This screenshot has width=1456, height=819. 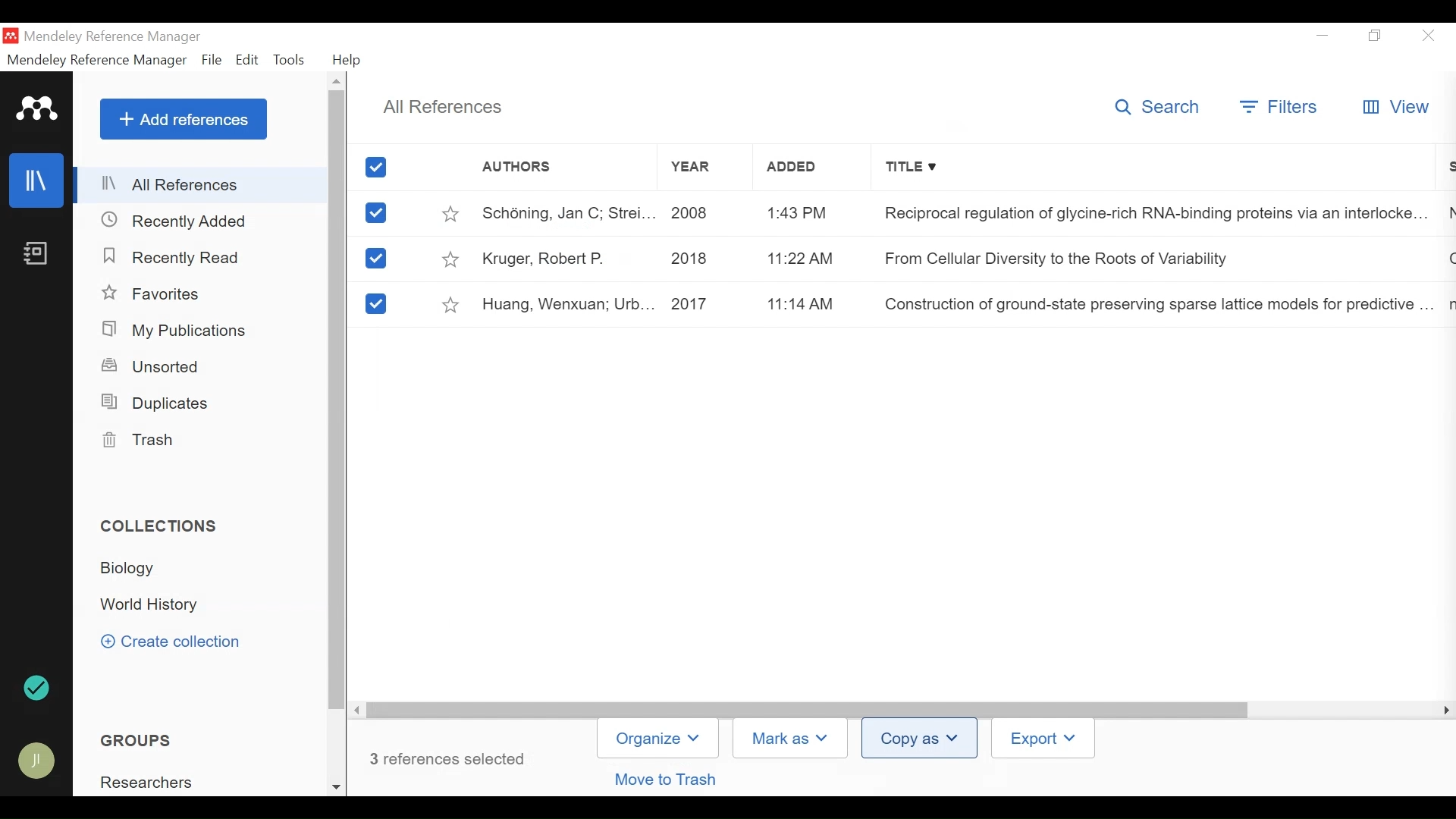 What do you see at coordinates (183, 119) in the screenshot?
I see `Add Reference` at bounding box center [183, 119].